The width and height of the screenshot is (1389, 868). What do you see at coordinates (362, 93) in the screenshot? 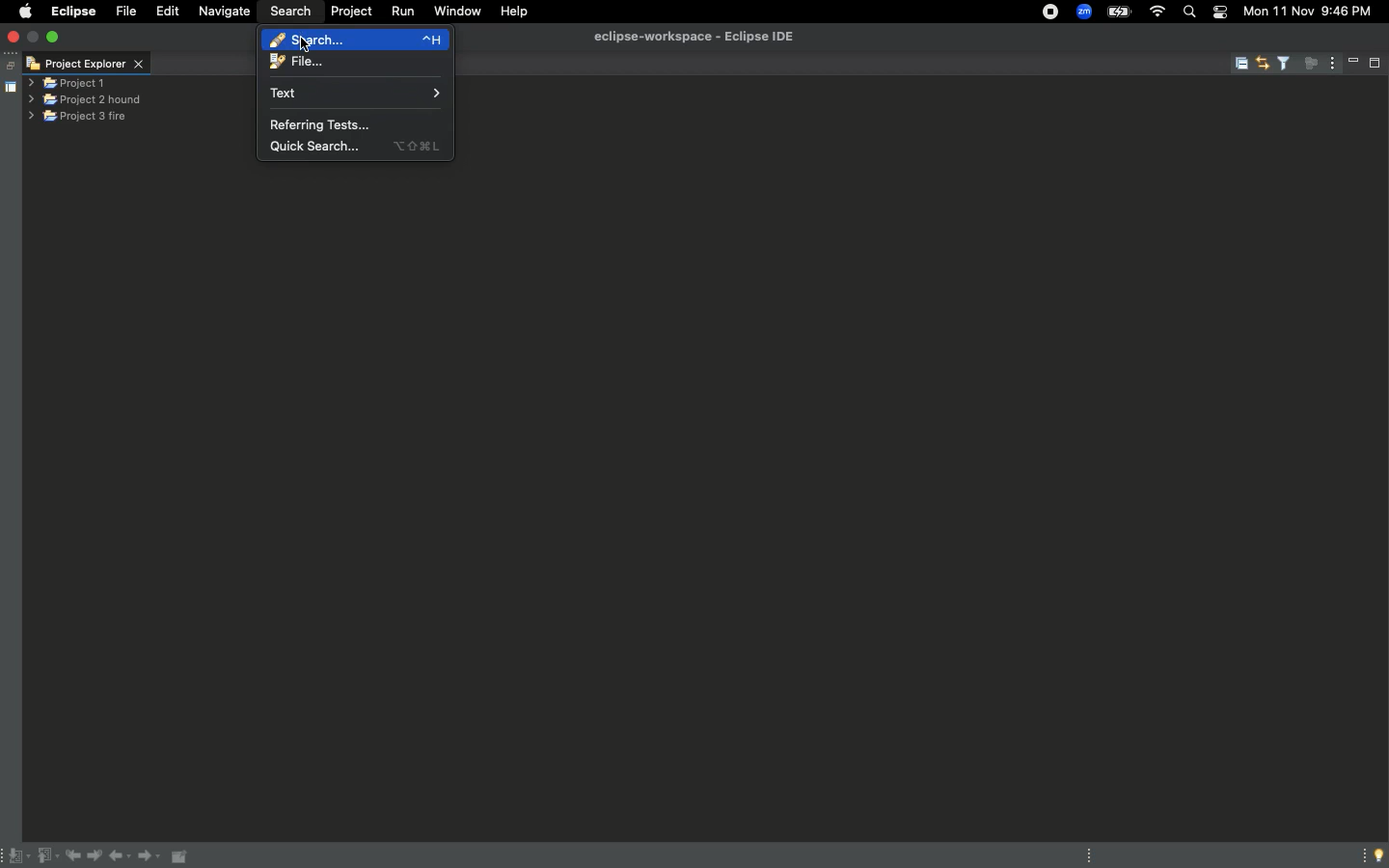
I see `Text` at bounding box center [362, 93].